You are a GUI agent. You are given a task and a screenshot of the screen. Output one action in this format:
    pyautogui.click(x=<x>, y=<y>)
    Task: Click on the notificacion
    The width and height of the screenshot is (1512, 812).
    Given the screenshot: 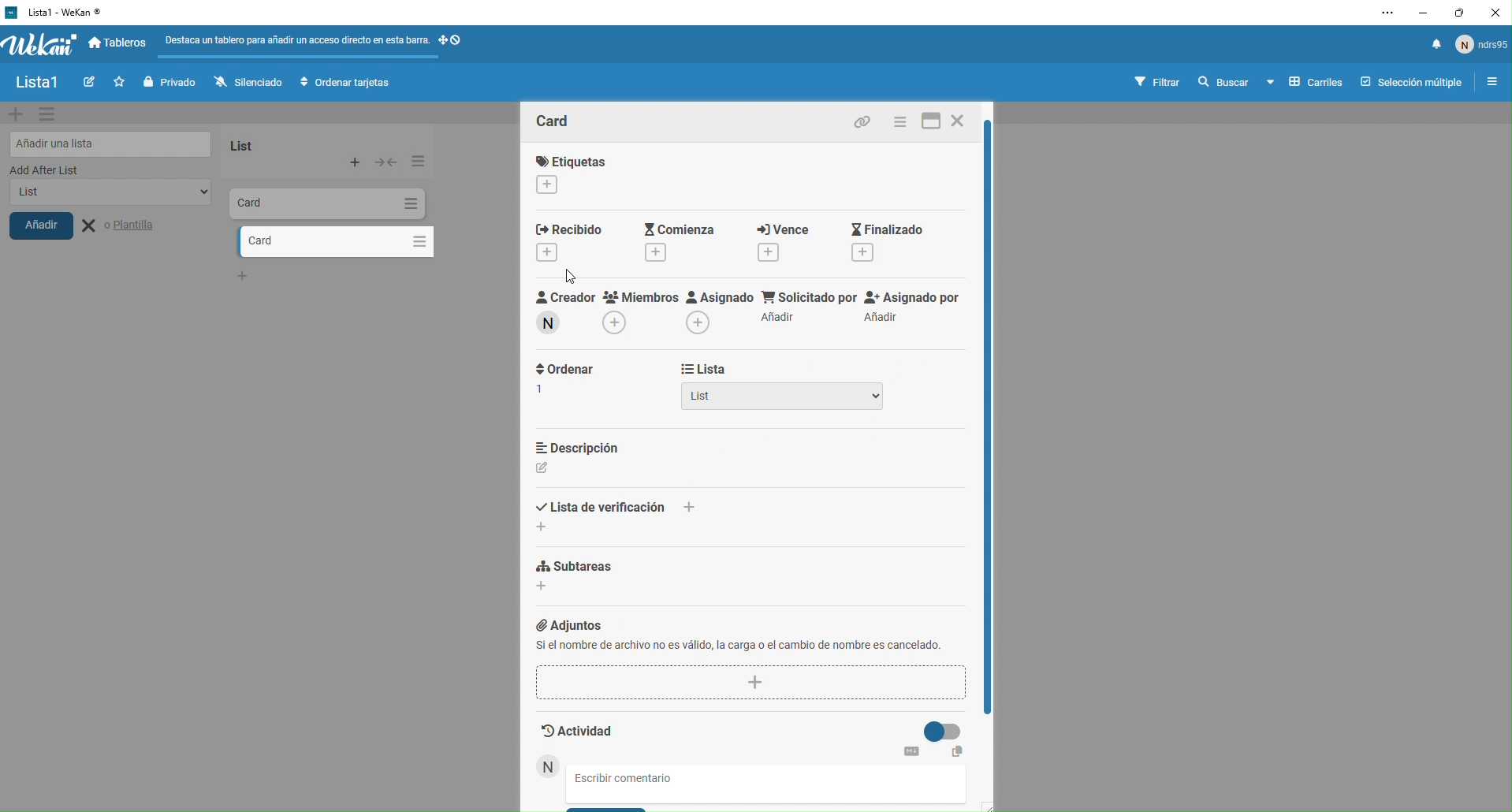 What is the action you would take?
    pyautogui.click(x=1431, y=48)
    